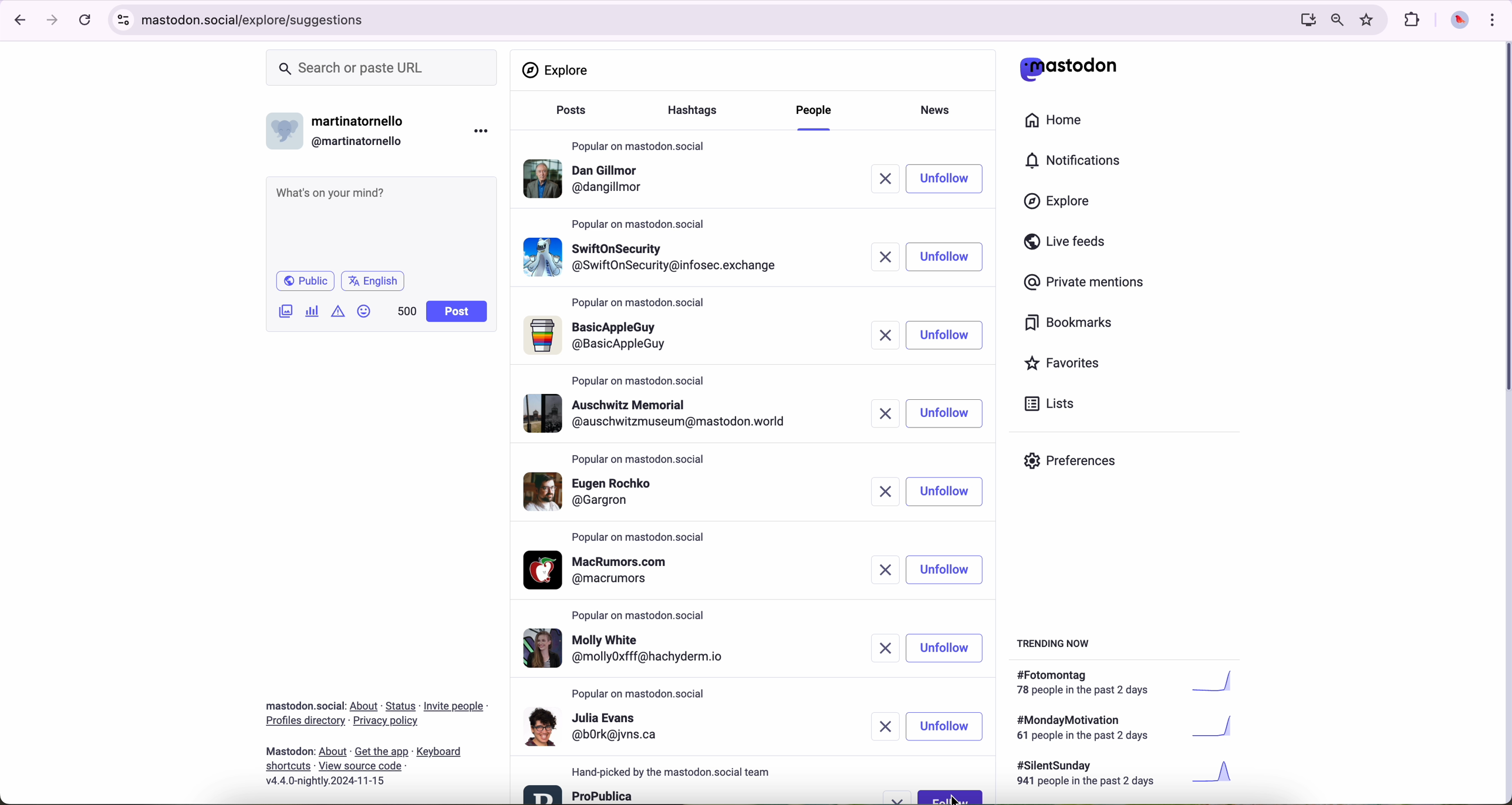 The height and width of the screenshot is (805, 1512). Describe the element at coordinates (879, 570) in the screenshot. I see `remove` at that location.